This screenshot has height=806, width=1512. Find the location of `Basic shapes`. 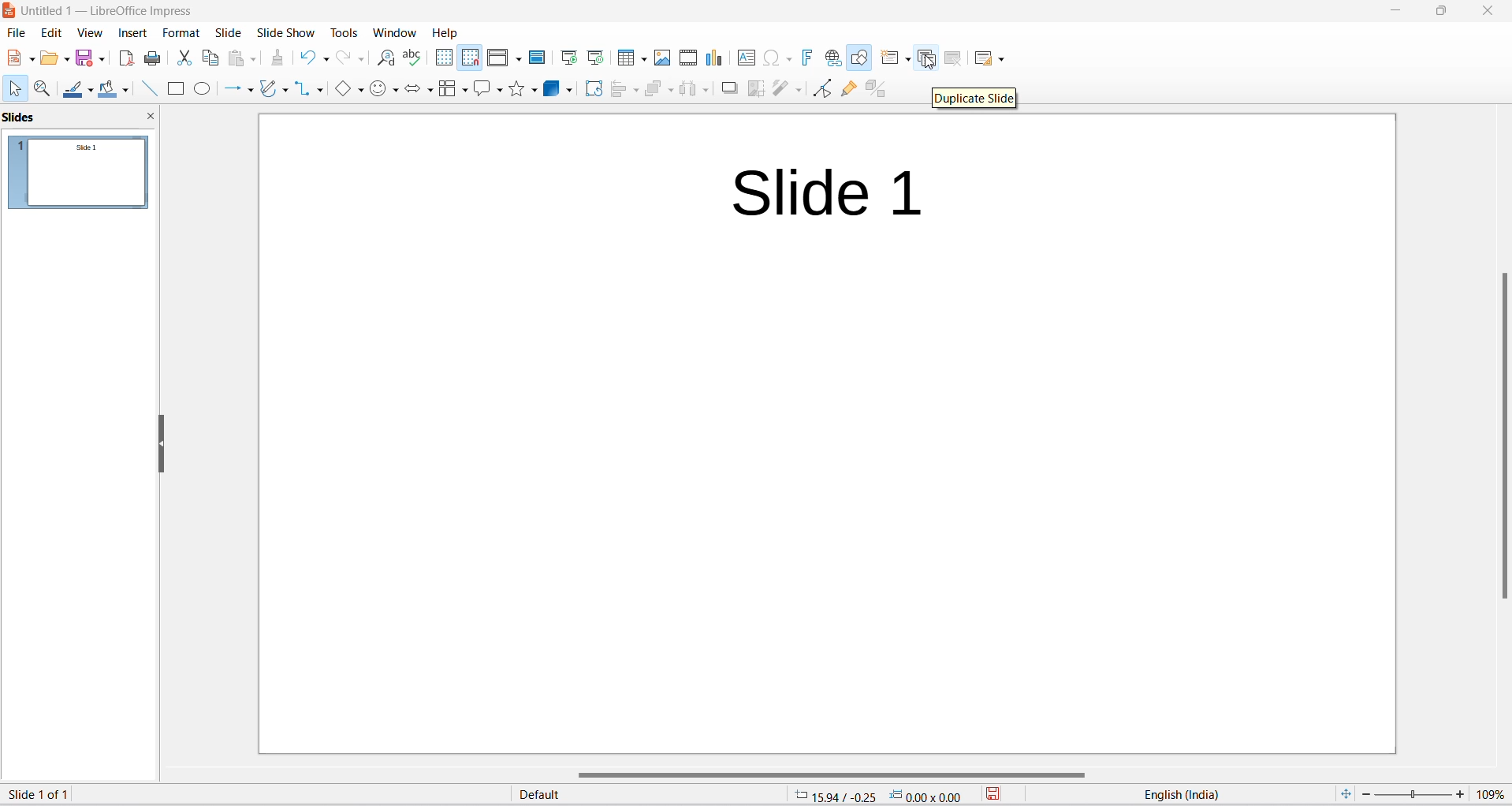

Basic shapes is located at coordinates (345, 90).